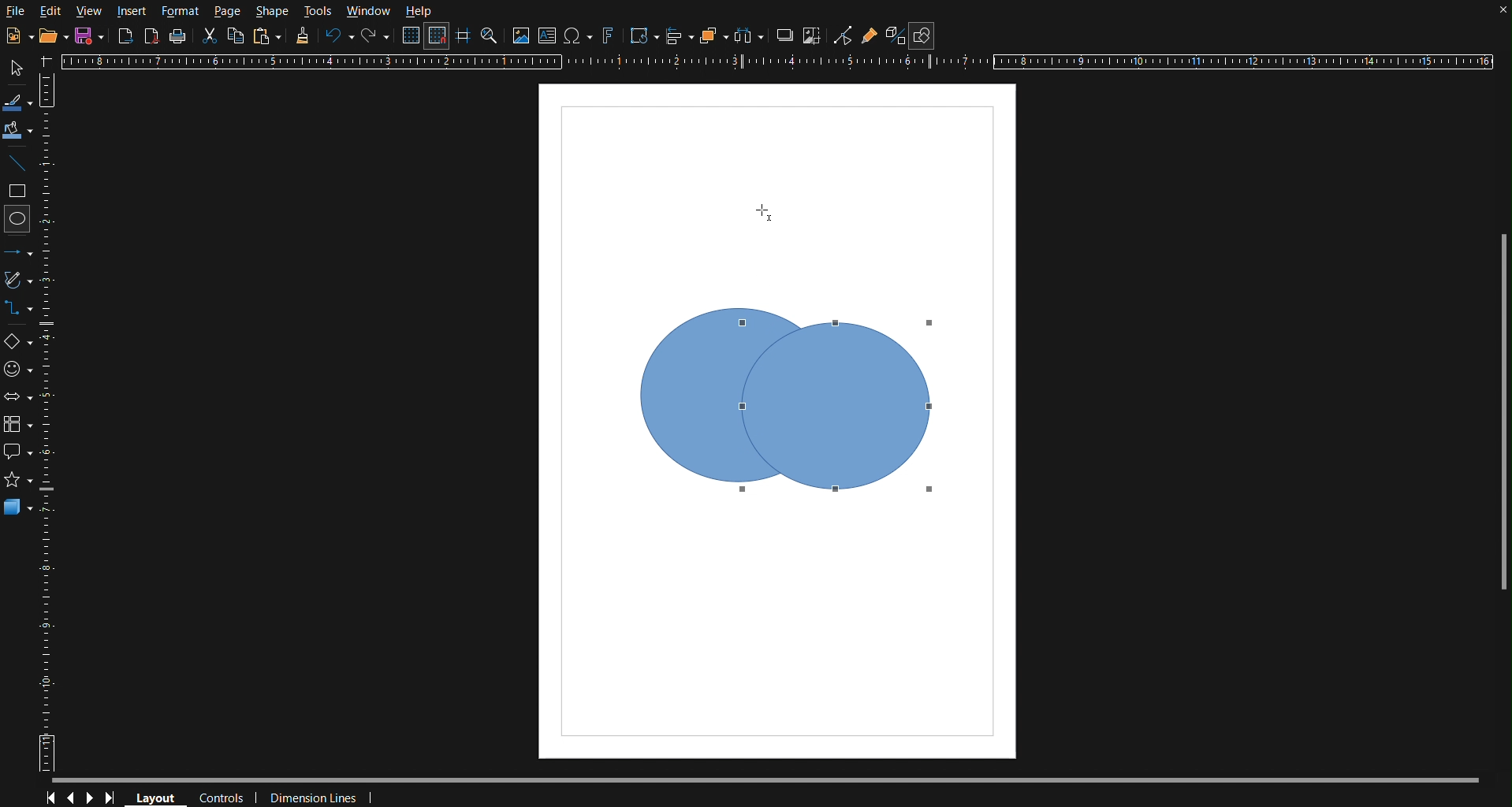 The image size is (1512, 807). What do you see at coordinates (814, 36) in the screenshot?
I see `Crop Images` at bounding box center [814, 36].